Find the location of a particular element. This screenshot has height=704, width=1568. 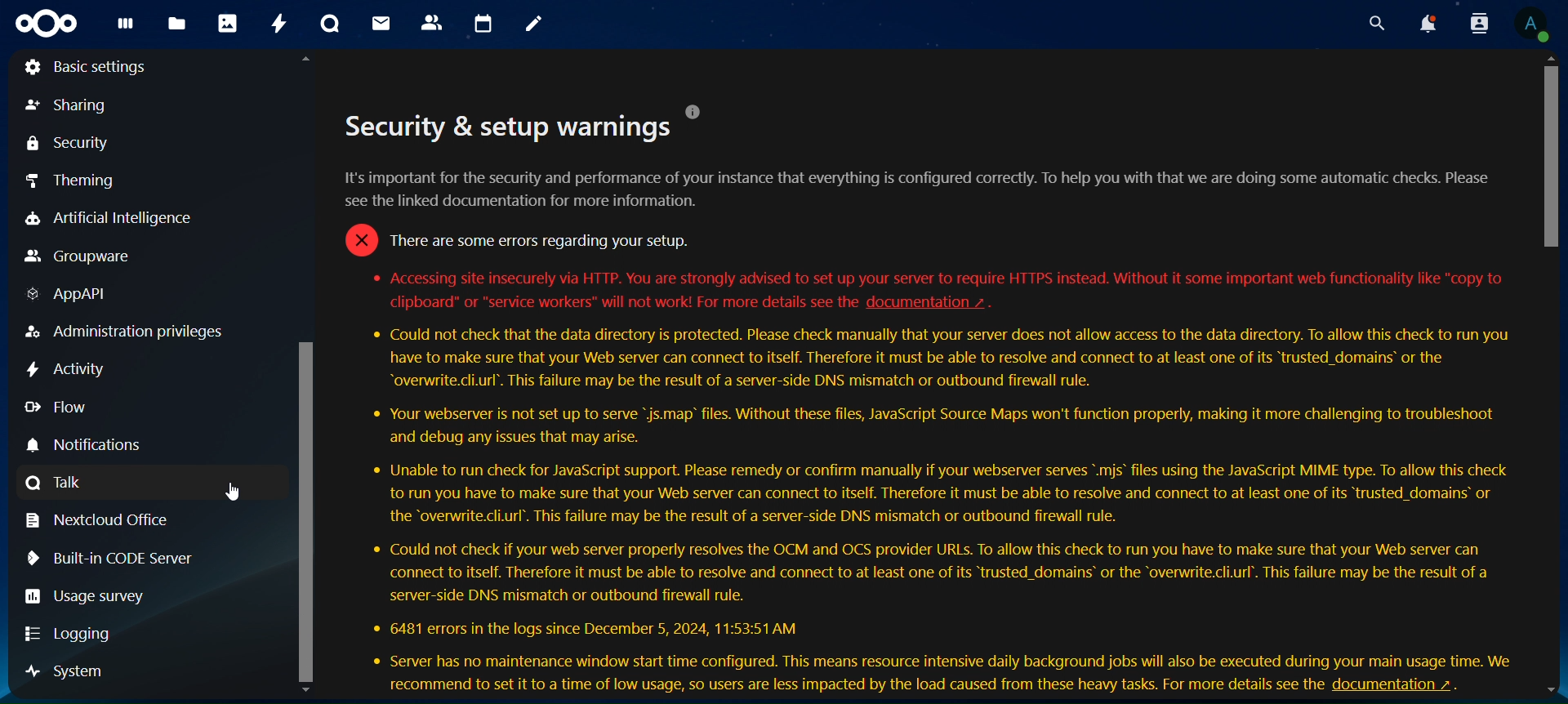

view profile is located at coordinates (1530, 24).